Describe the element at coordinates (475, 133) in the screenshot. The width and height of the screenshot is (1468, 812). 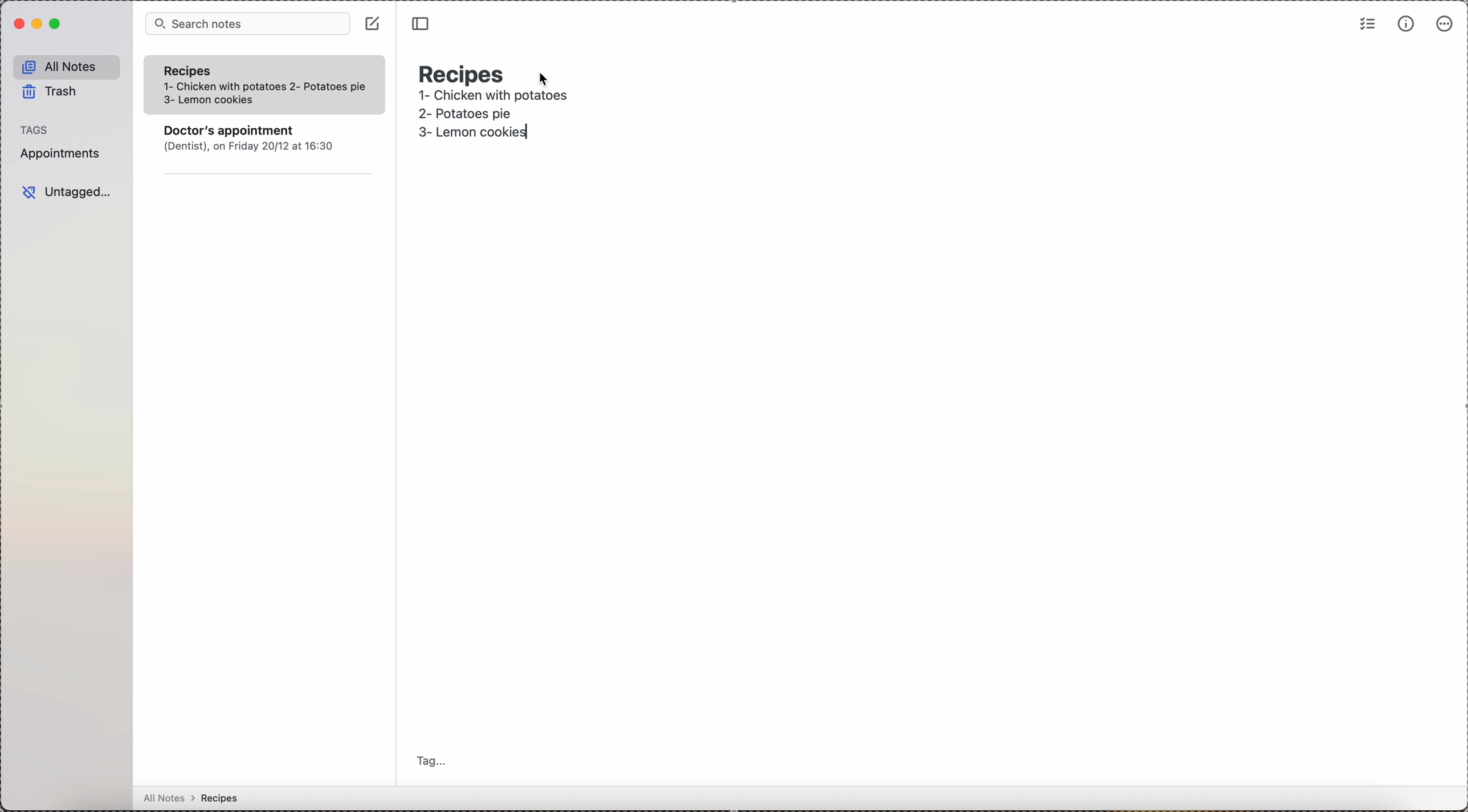
I see `third recipe` at that location.